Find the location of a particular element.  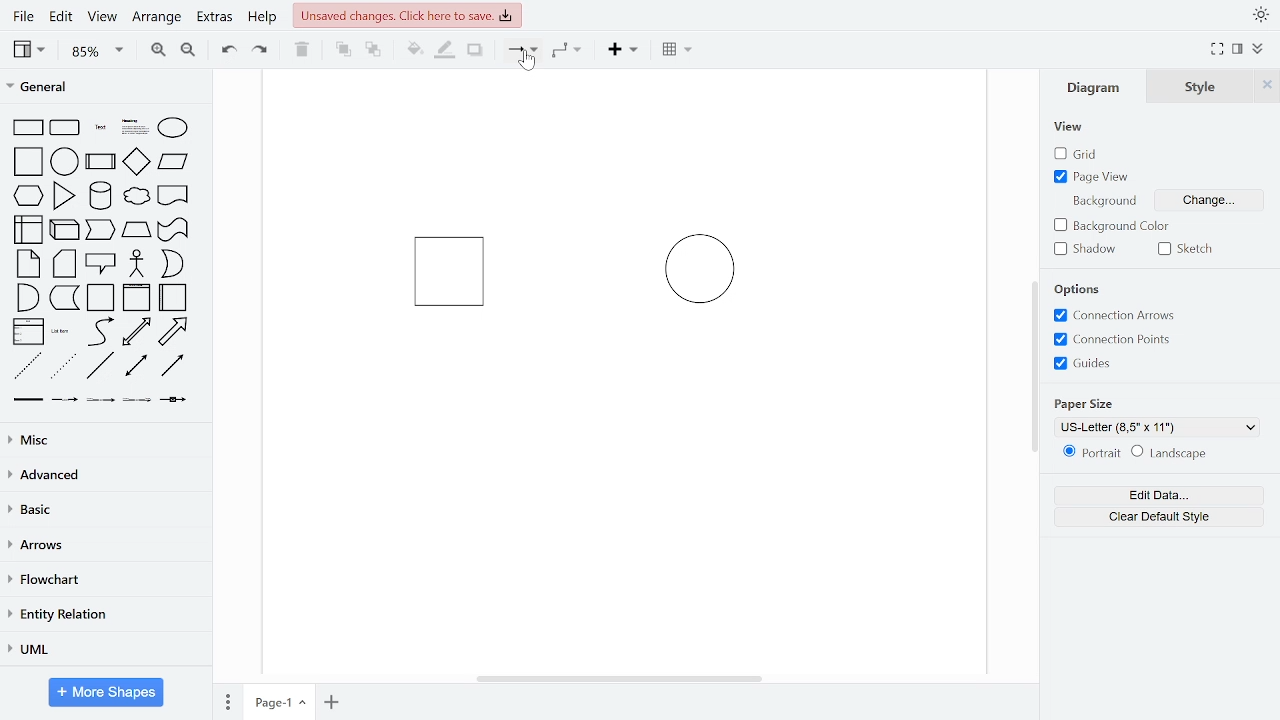

dashed line is located at coordinates (28, 367).